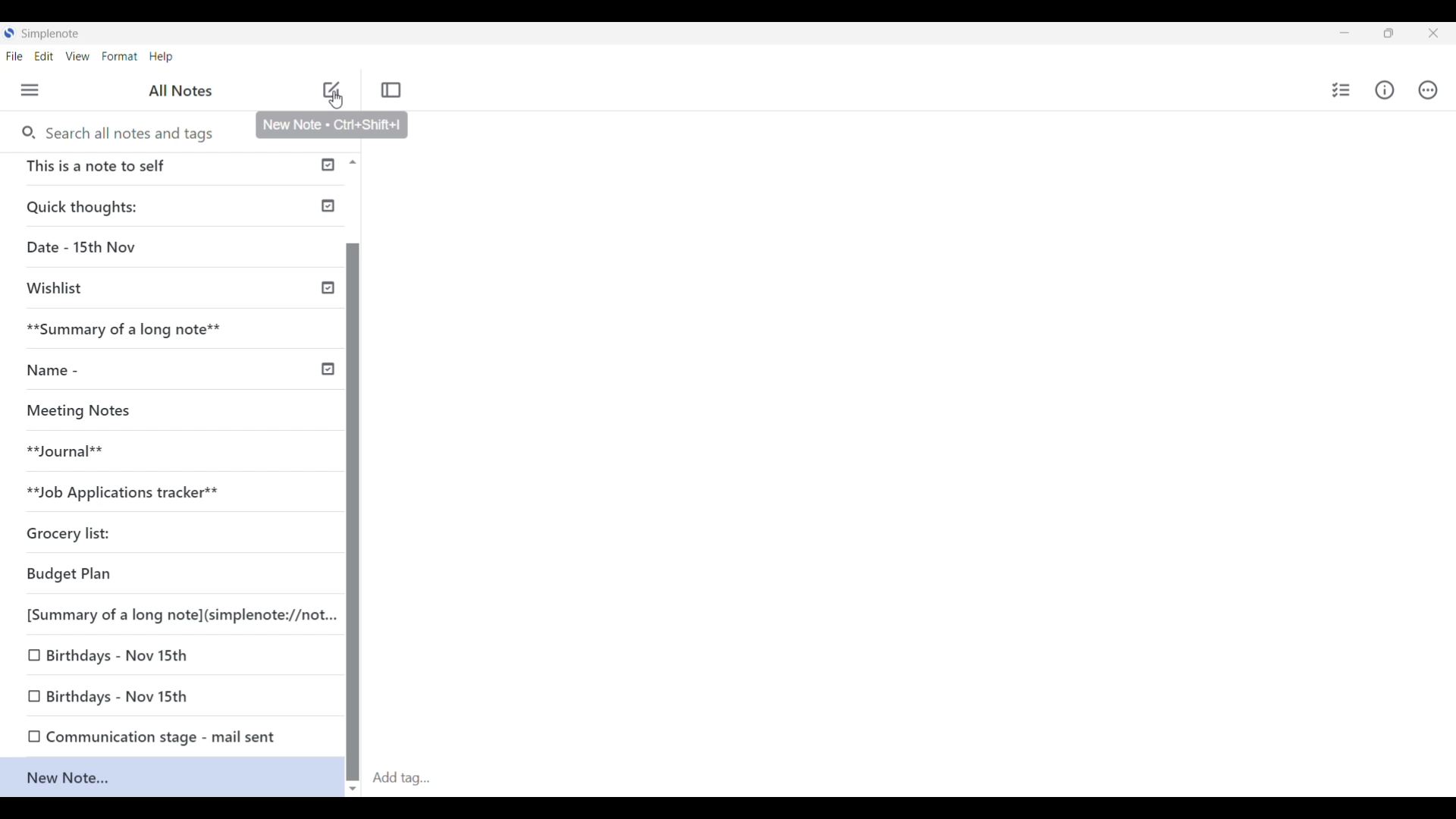  Describe the element at coordinates (1428, 89) in the screenshot. I see `Actions` at that location.